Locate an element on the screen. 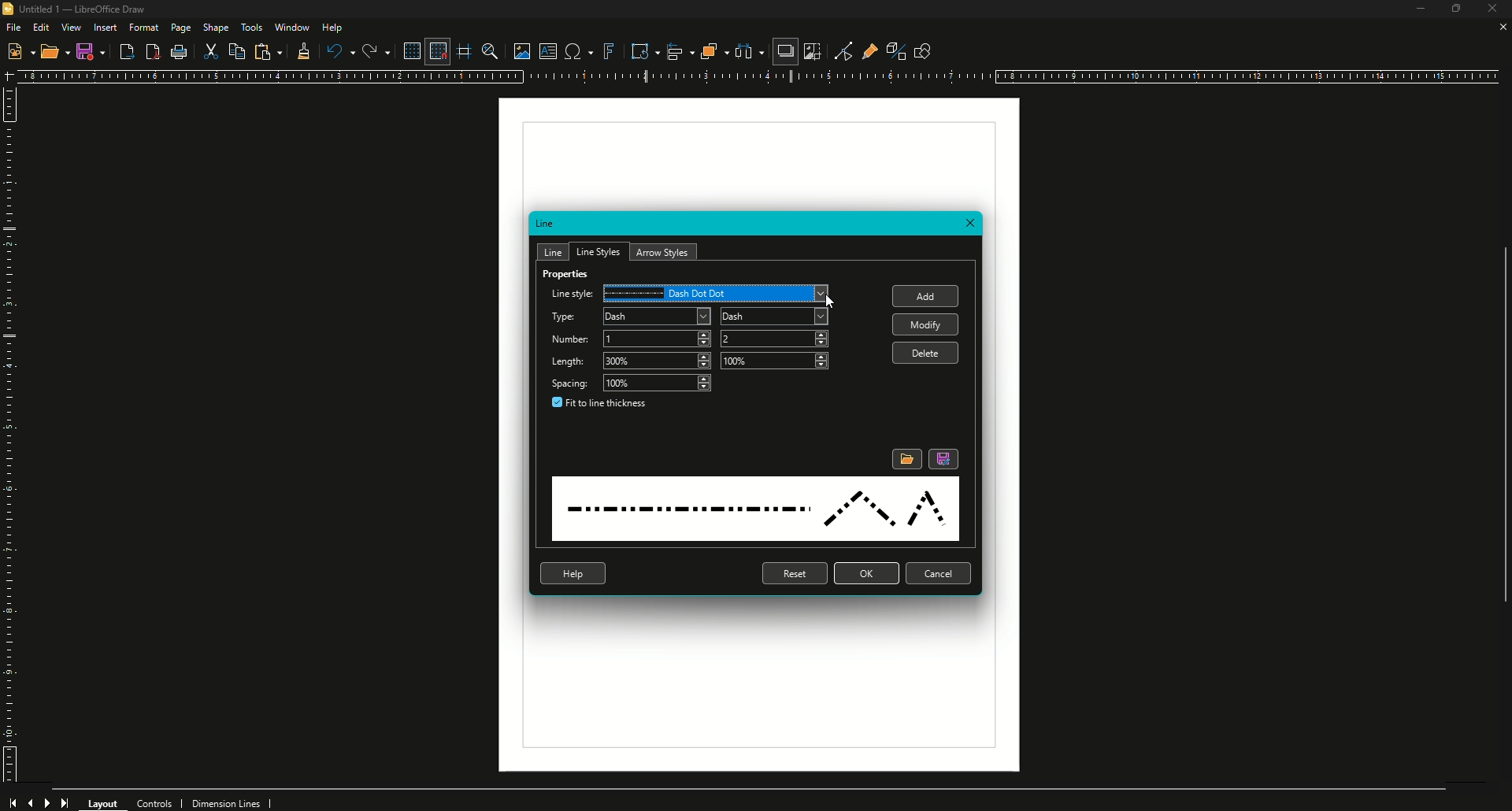 This screenshot has height=811, width=1512. Toggle Point Edit Mode is located at coordinates (838, 50).